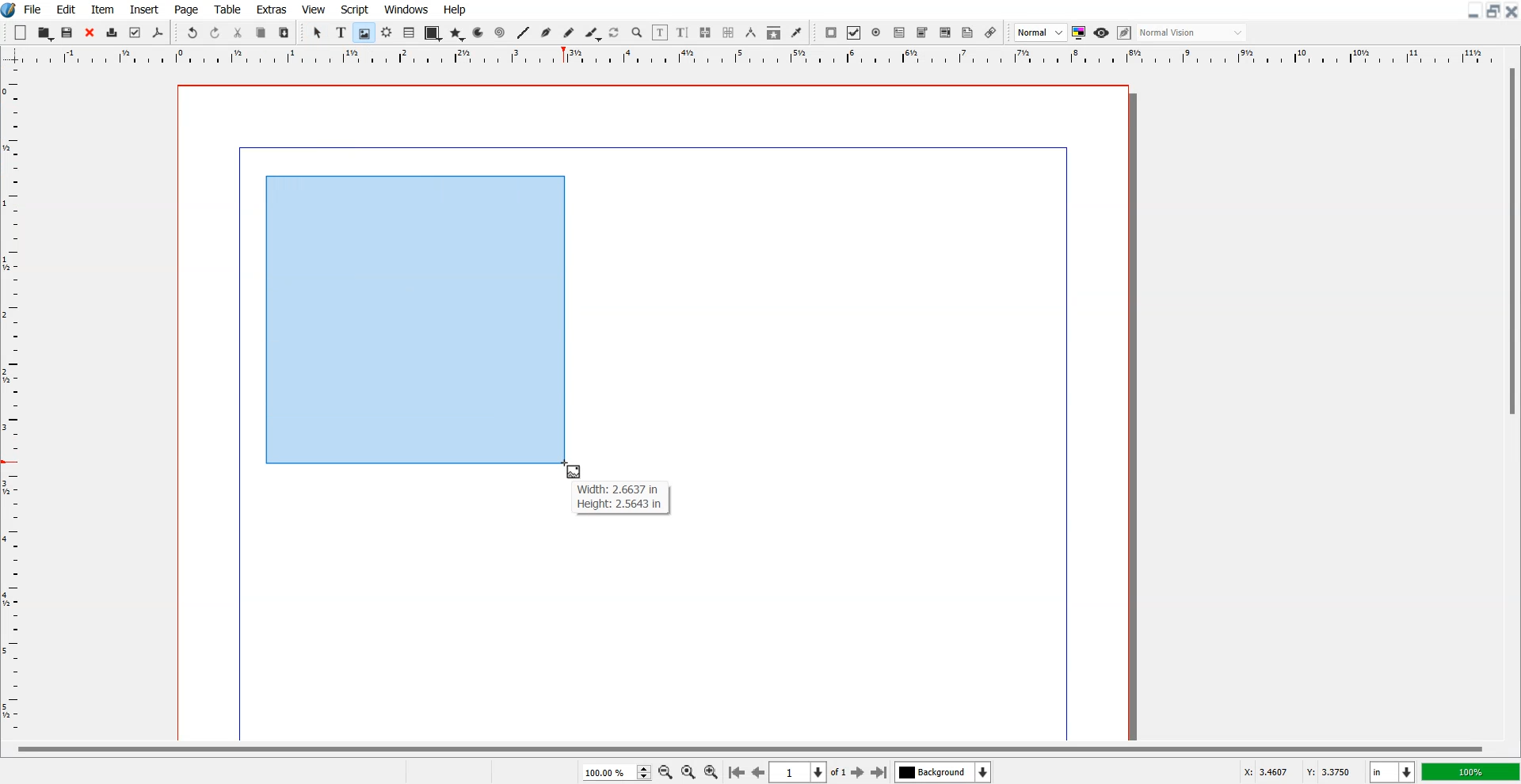  What do you see at coordinates (499, 32) in the screenshot?
I see `Spiral` at bounding box center [499, 32].